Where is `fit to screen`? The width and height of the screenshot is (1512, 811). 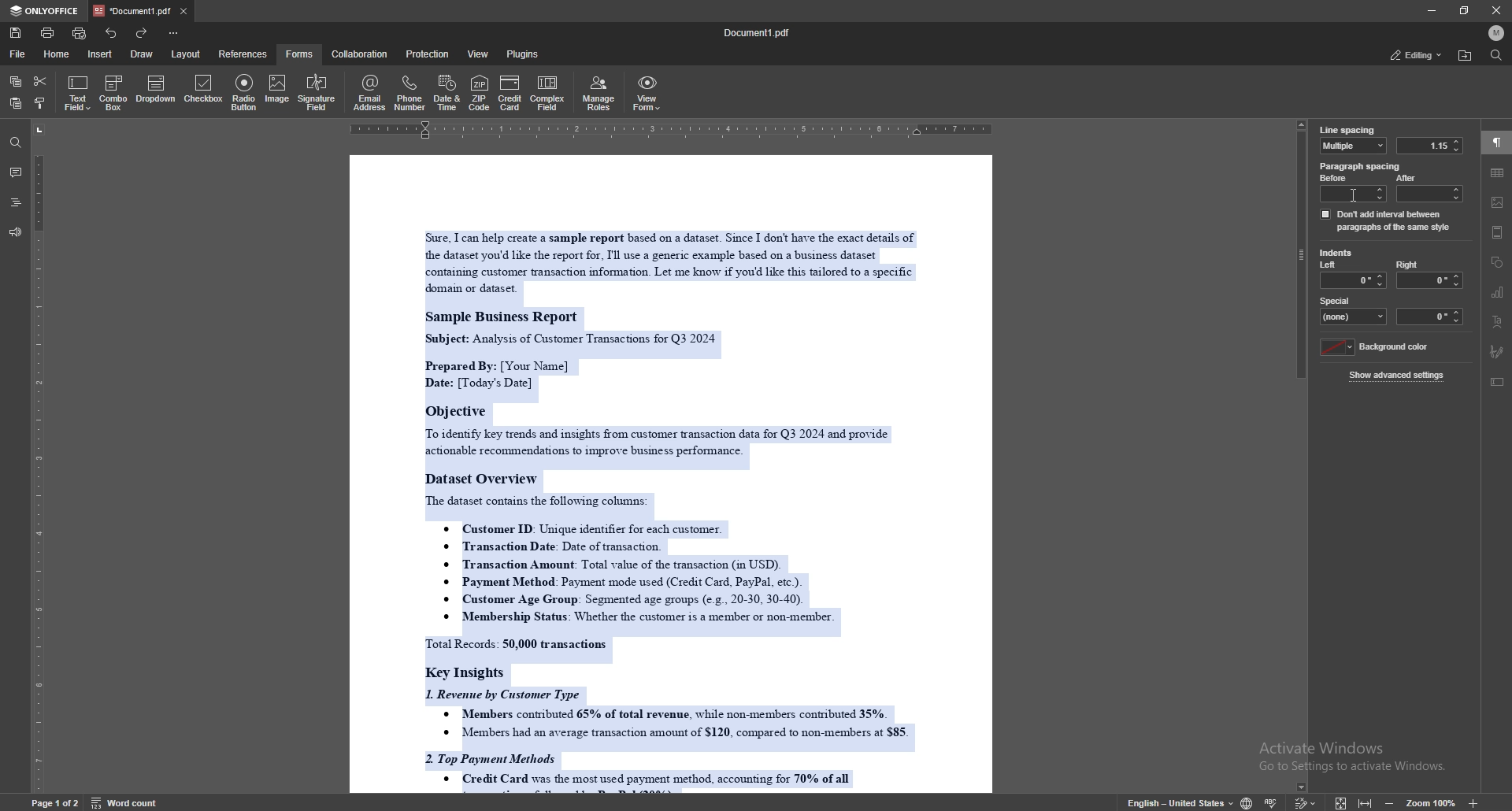
fit to screen is located at coordinates (1341, 802).